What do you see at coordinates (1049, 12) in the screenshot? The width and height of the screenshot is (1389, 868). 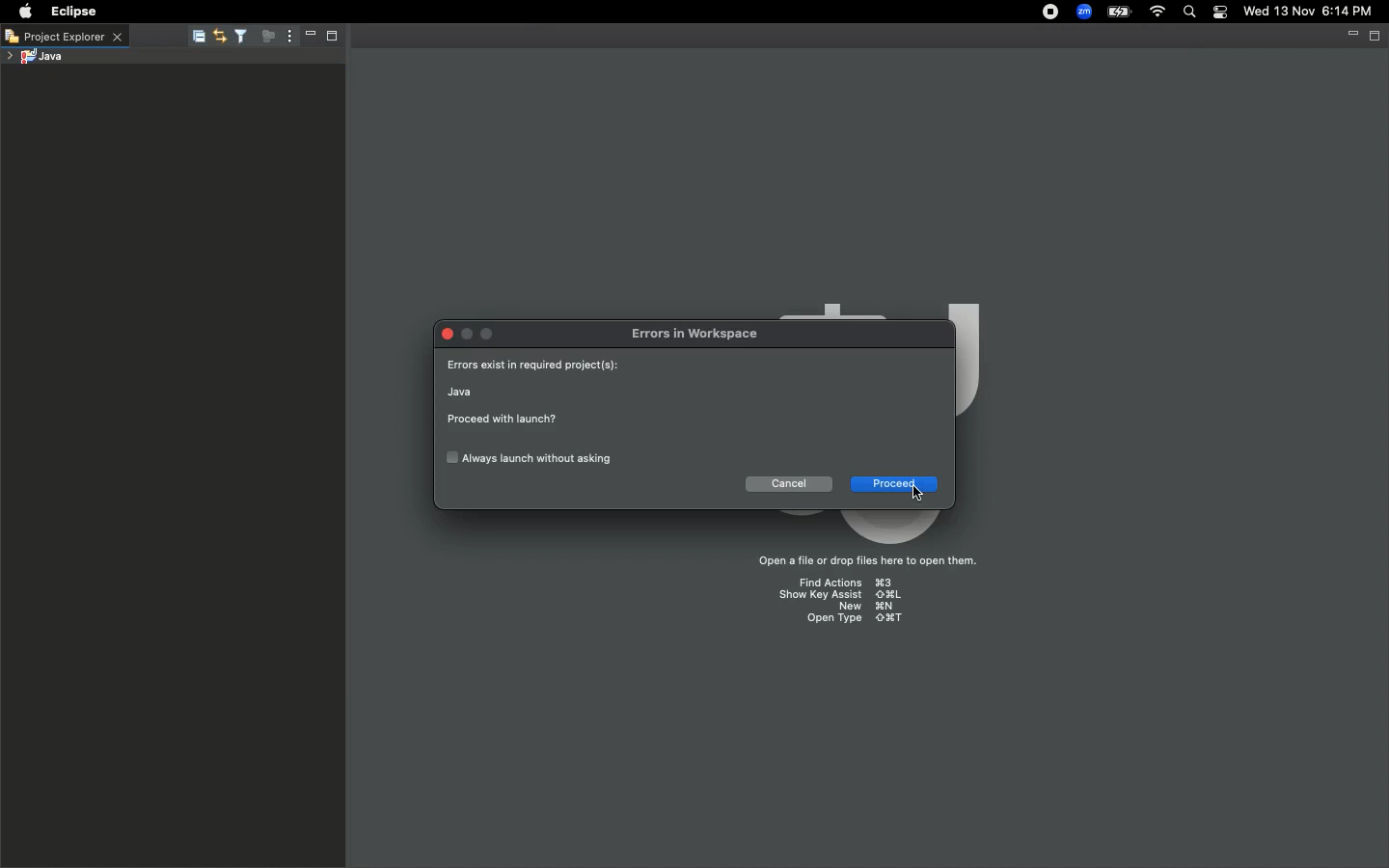 I see `Recording` at bounding box center [1049, 12].